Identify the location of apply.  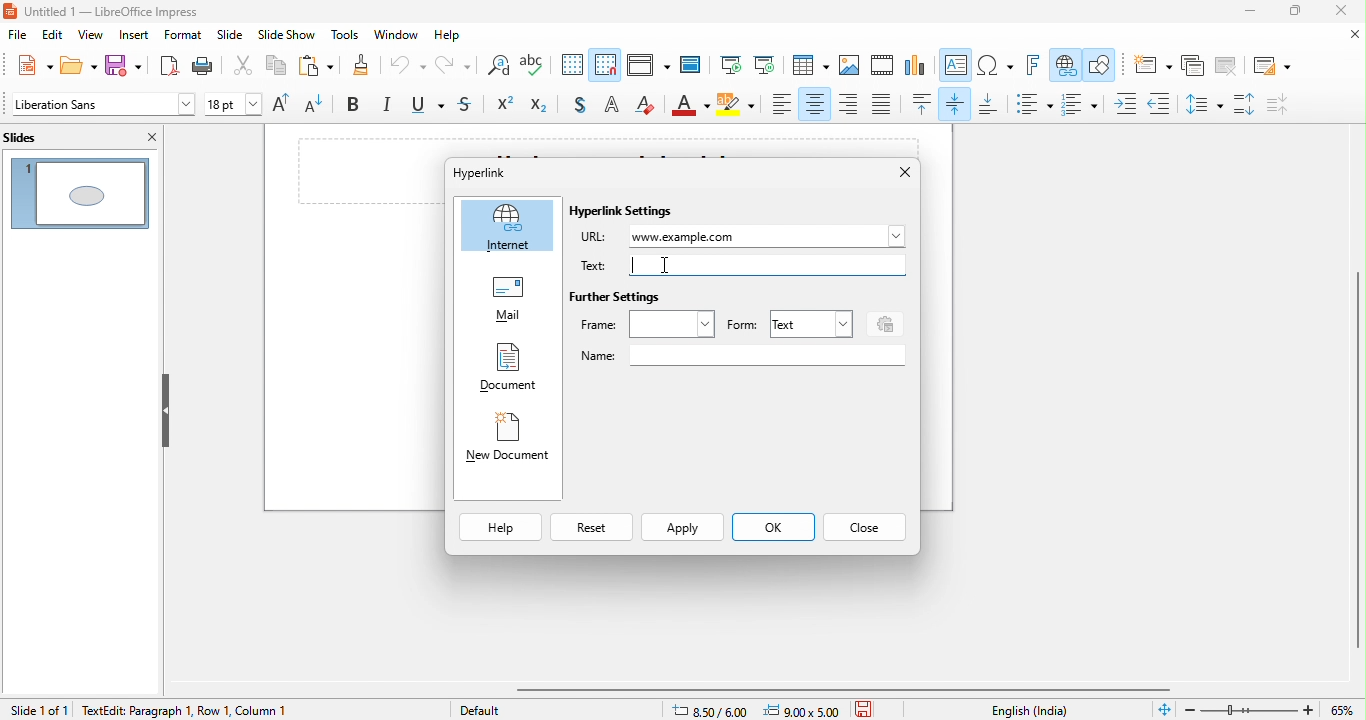
(683, 529).